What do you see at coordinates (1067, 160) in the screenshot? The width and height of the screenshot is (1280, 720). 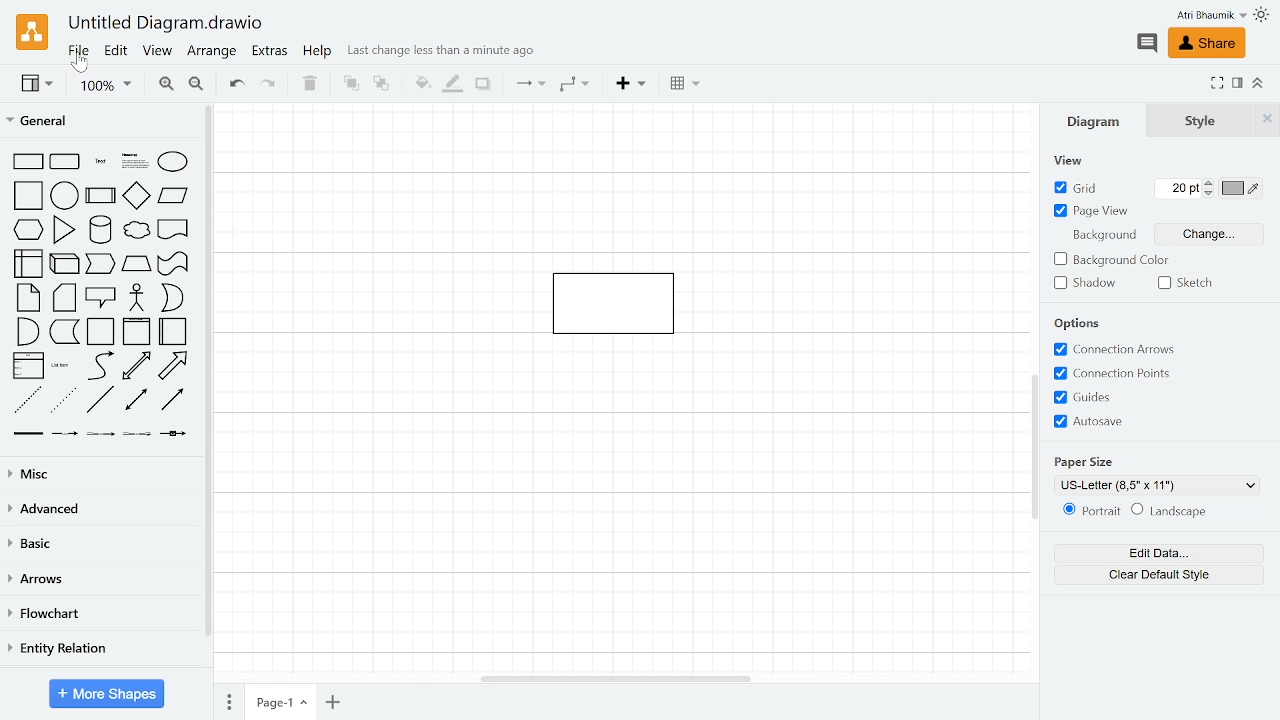 I see `view` at bounding box center [1067, 160].